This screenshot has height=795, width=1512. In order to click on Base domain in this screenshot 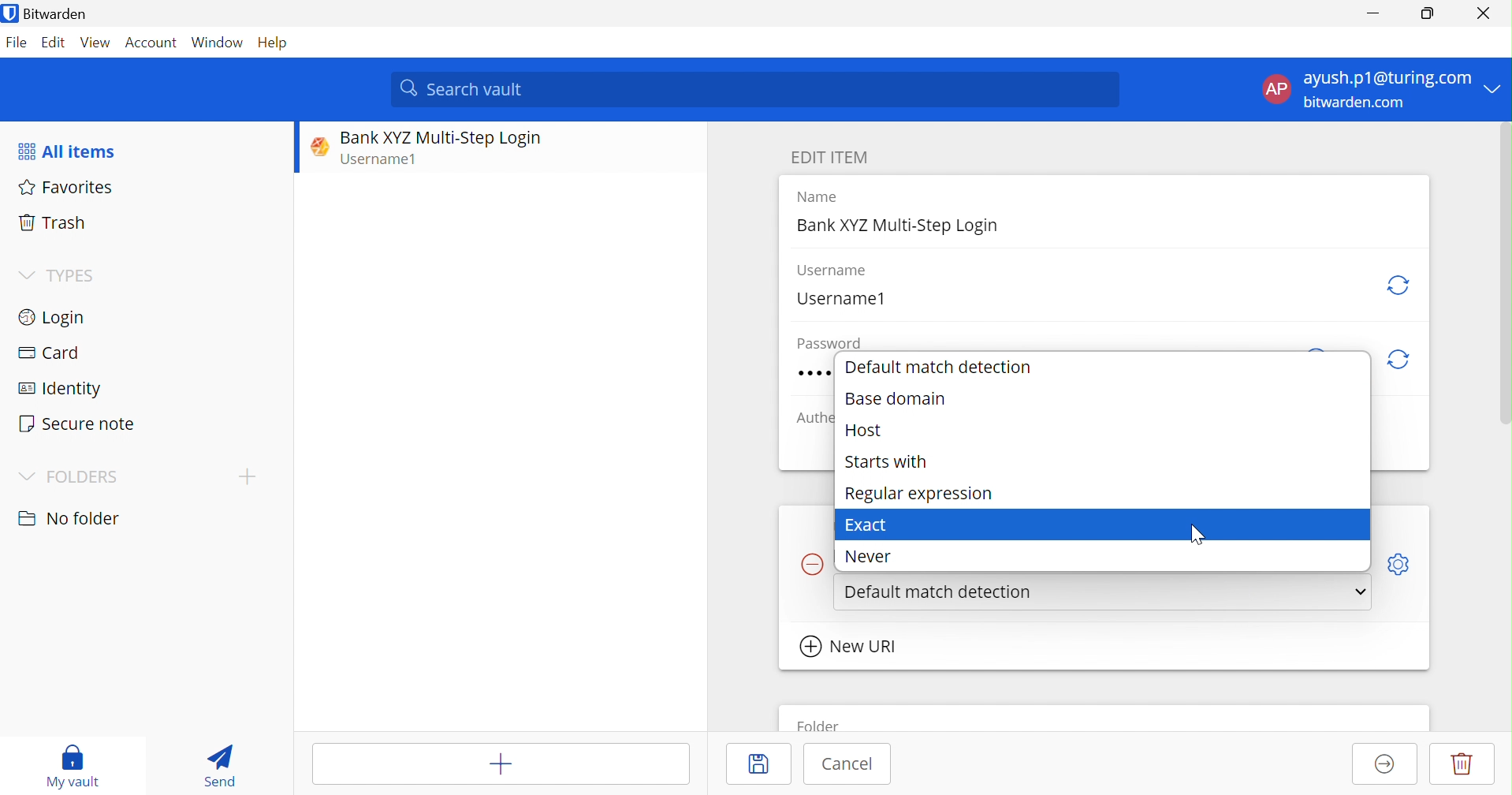, I will do `click(896, 401)`.